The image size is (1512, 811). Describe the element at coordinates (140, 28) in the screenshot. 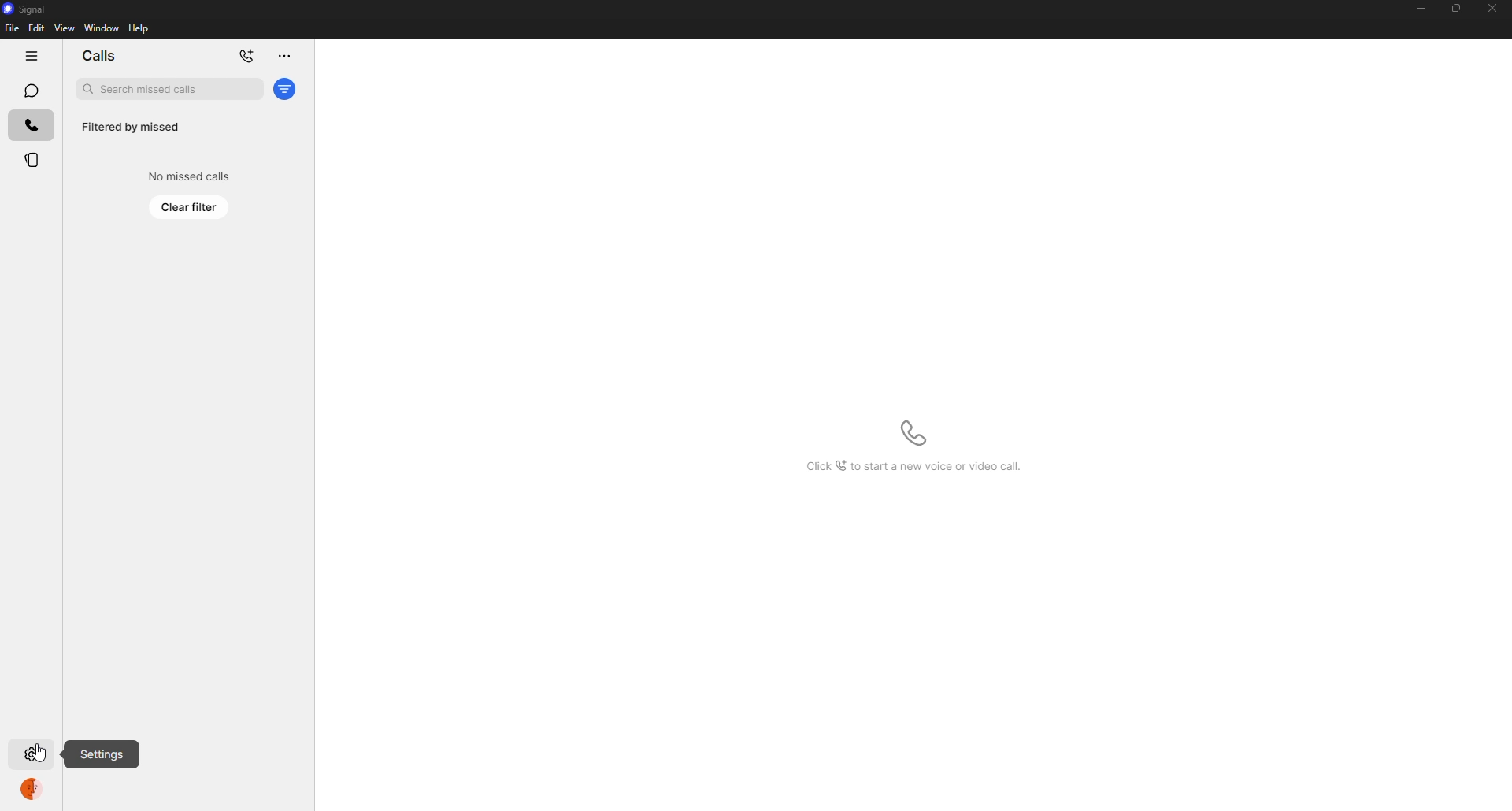

I see `help` at that location.